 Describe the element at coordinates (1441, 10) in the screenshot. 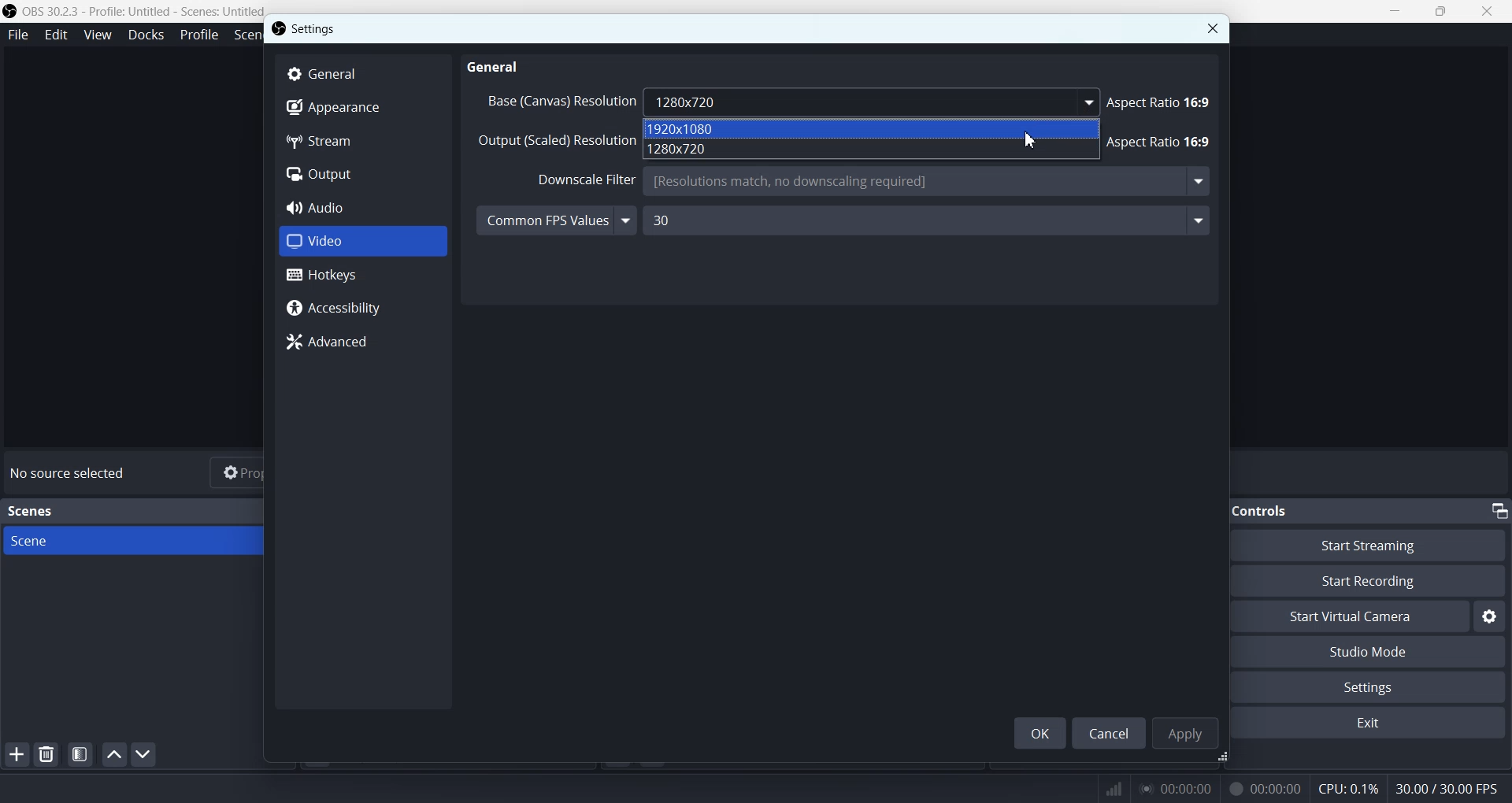

I see `Maximize` at that location.